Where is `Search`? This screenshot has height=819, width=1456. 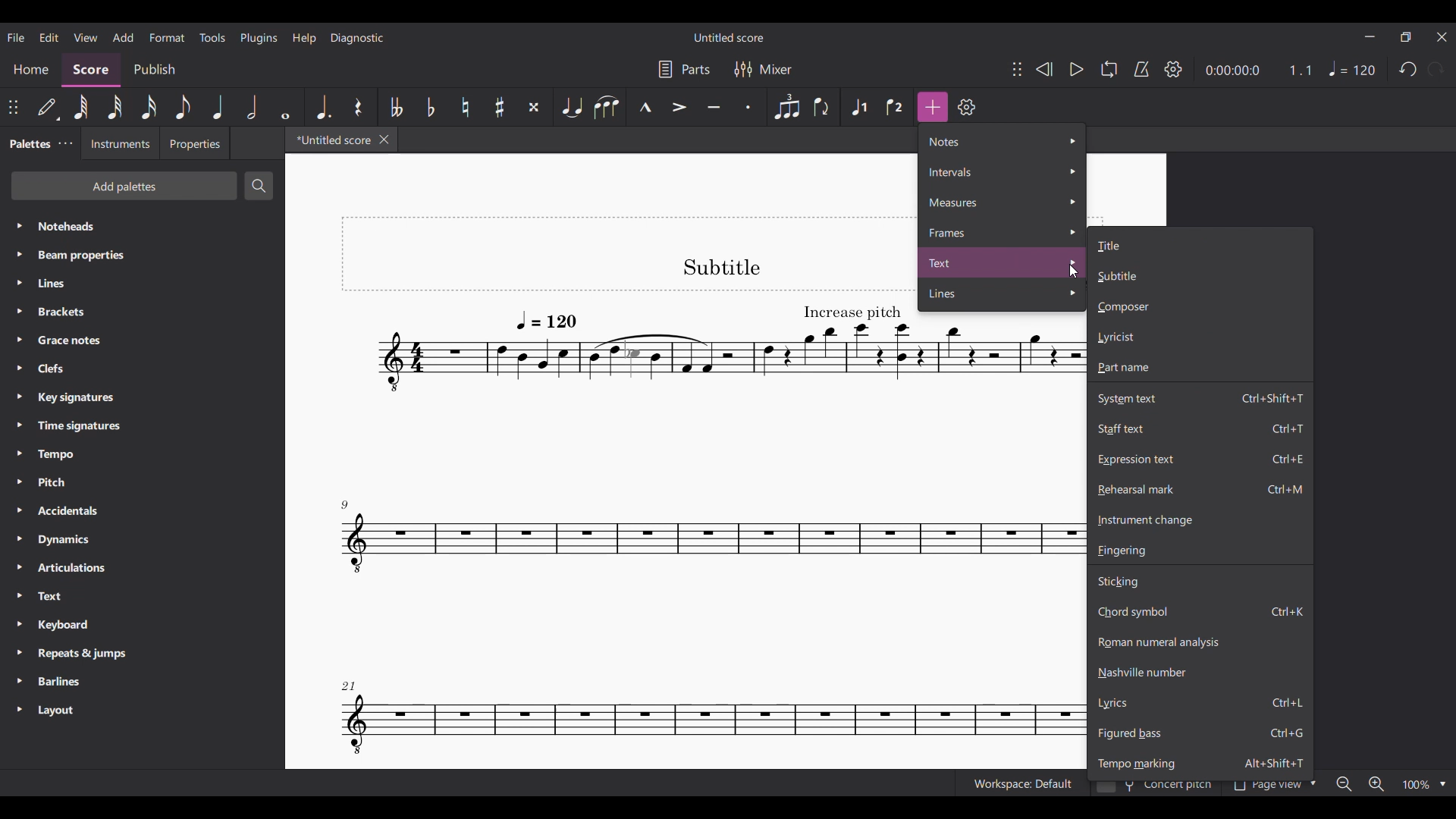
Search is located at coordinates (259, 185).